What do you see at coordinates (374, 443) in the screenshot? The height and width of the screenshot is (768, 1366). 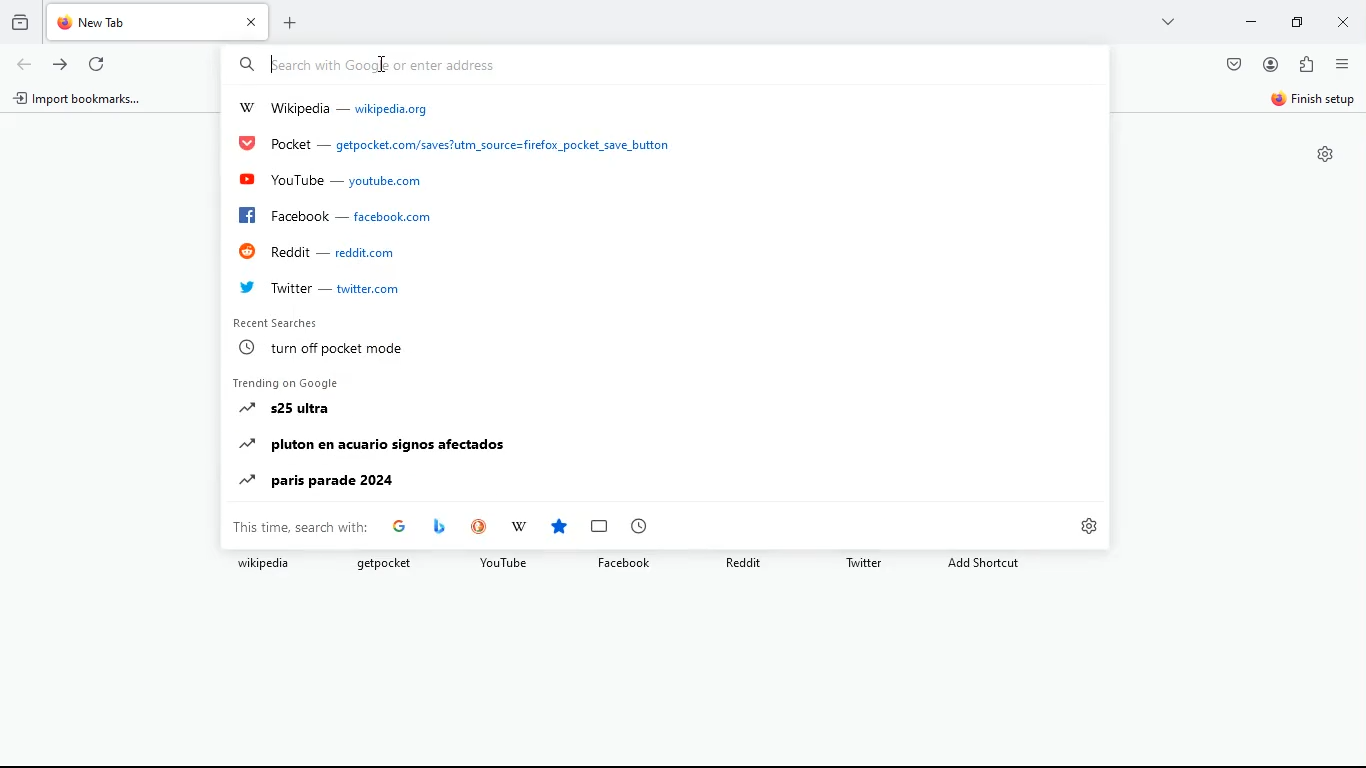 I see `»” pluton en acuario signos afec` at bounding box center [374, 443].